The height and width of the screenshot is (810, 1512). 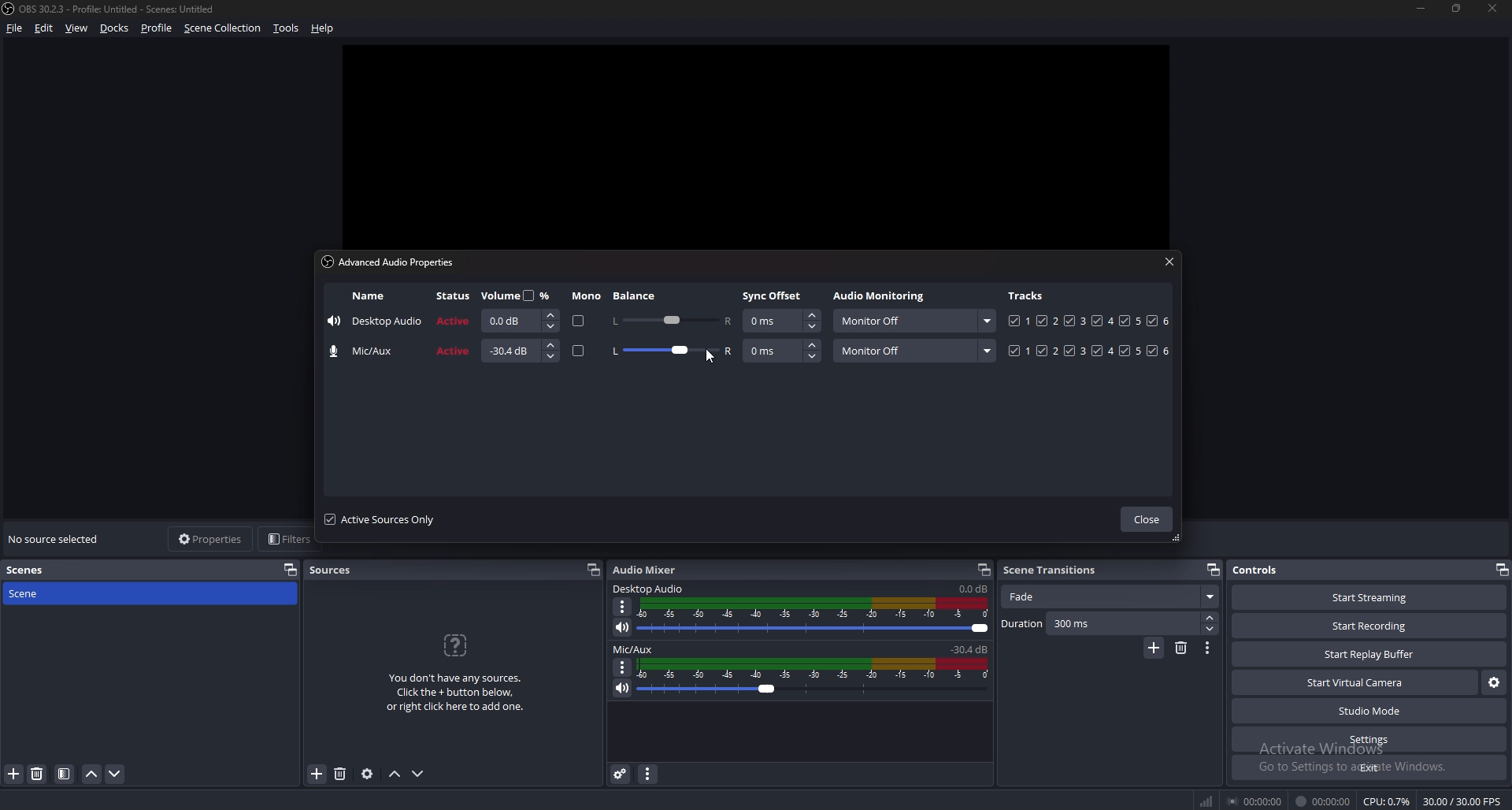 I want to click on audio mixer, so click(x=645, y=570).